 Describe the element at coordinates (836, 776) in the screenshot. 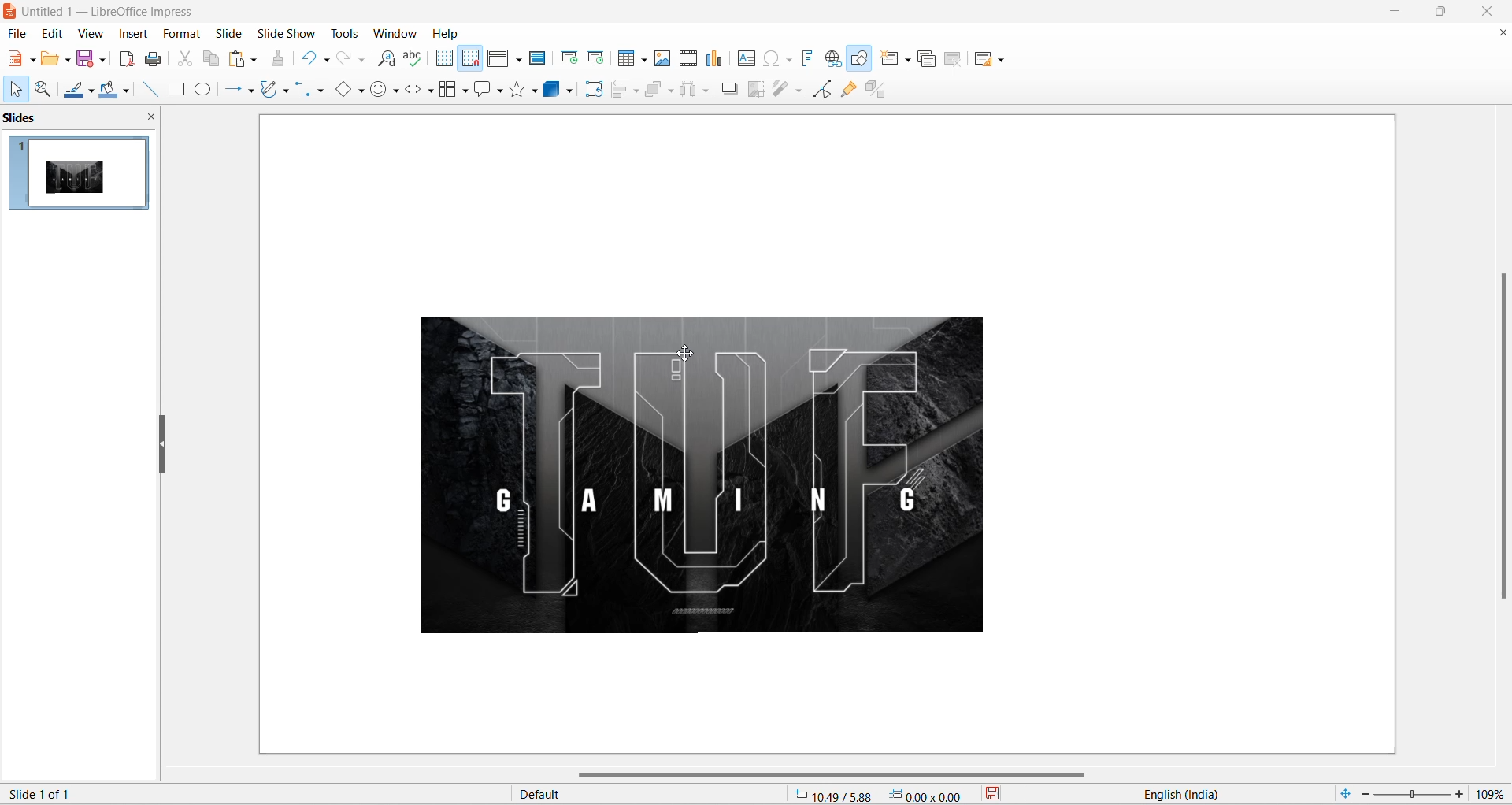

I see `horizontal scroll bar` at that location.